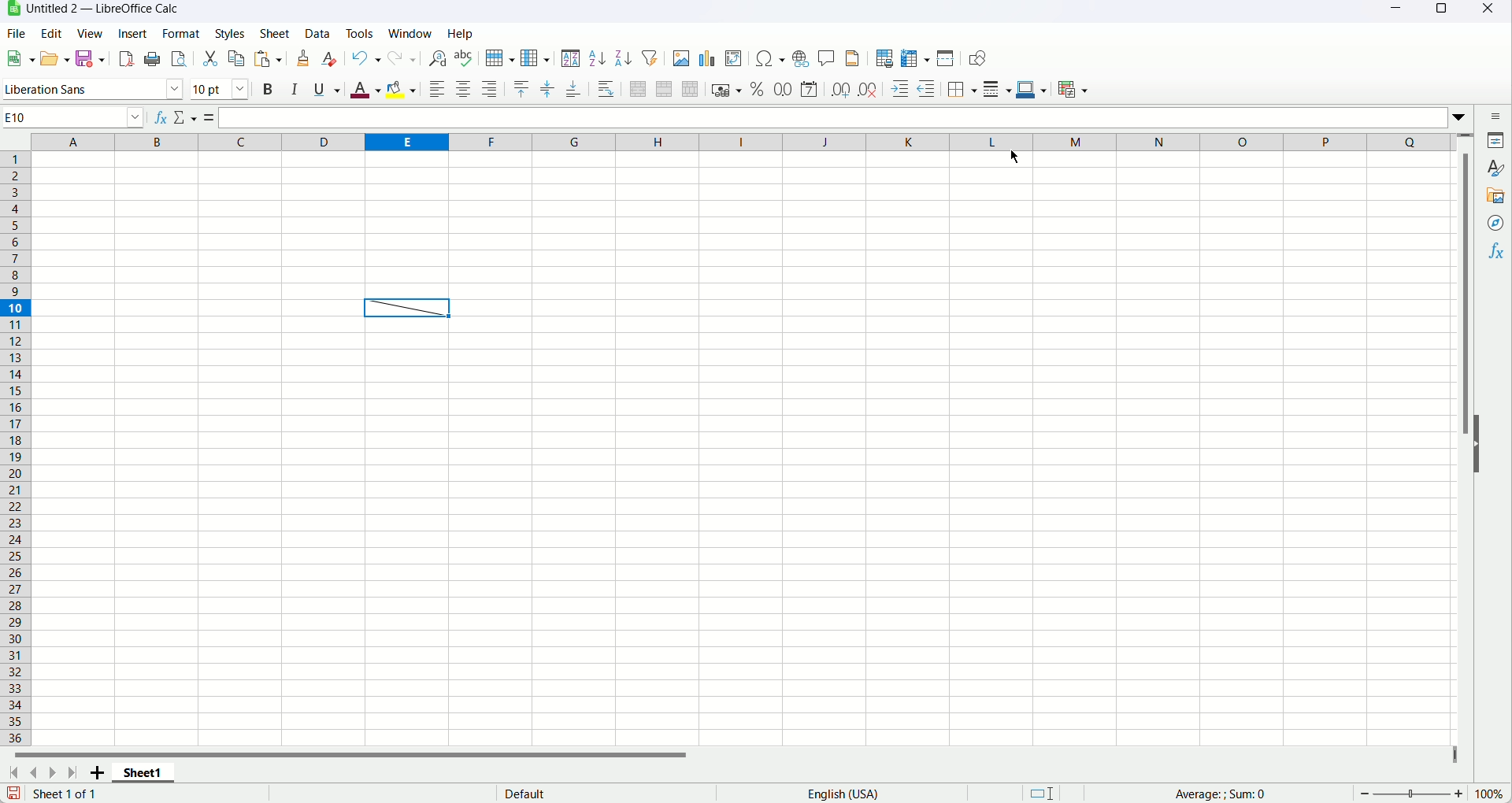  Describe the element at coordinates (1440, 13) in the screenshot. I see `Maximize` at that location.